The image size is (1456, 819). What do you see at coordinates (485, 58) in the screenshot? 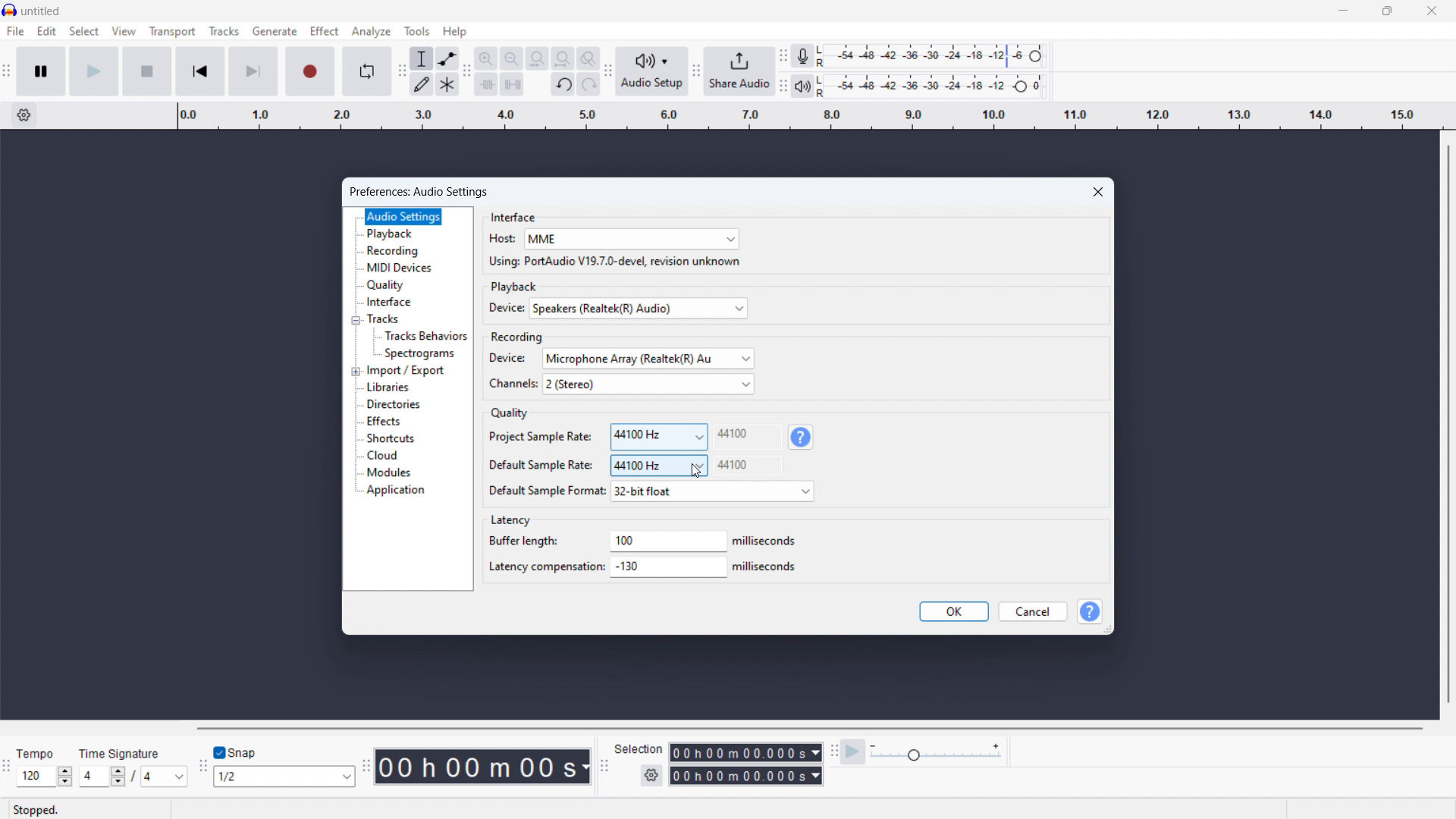
I see `zoom in` at bounding box center [485, 58].